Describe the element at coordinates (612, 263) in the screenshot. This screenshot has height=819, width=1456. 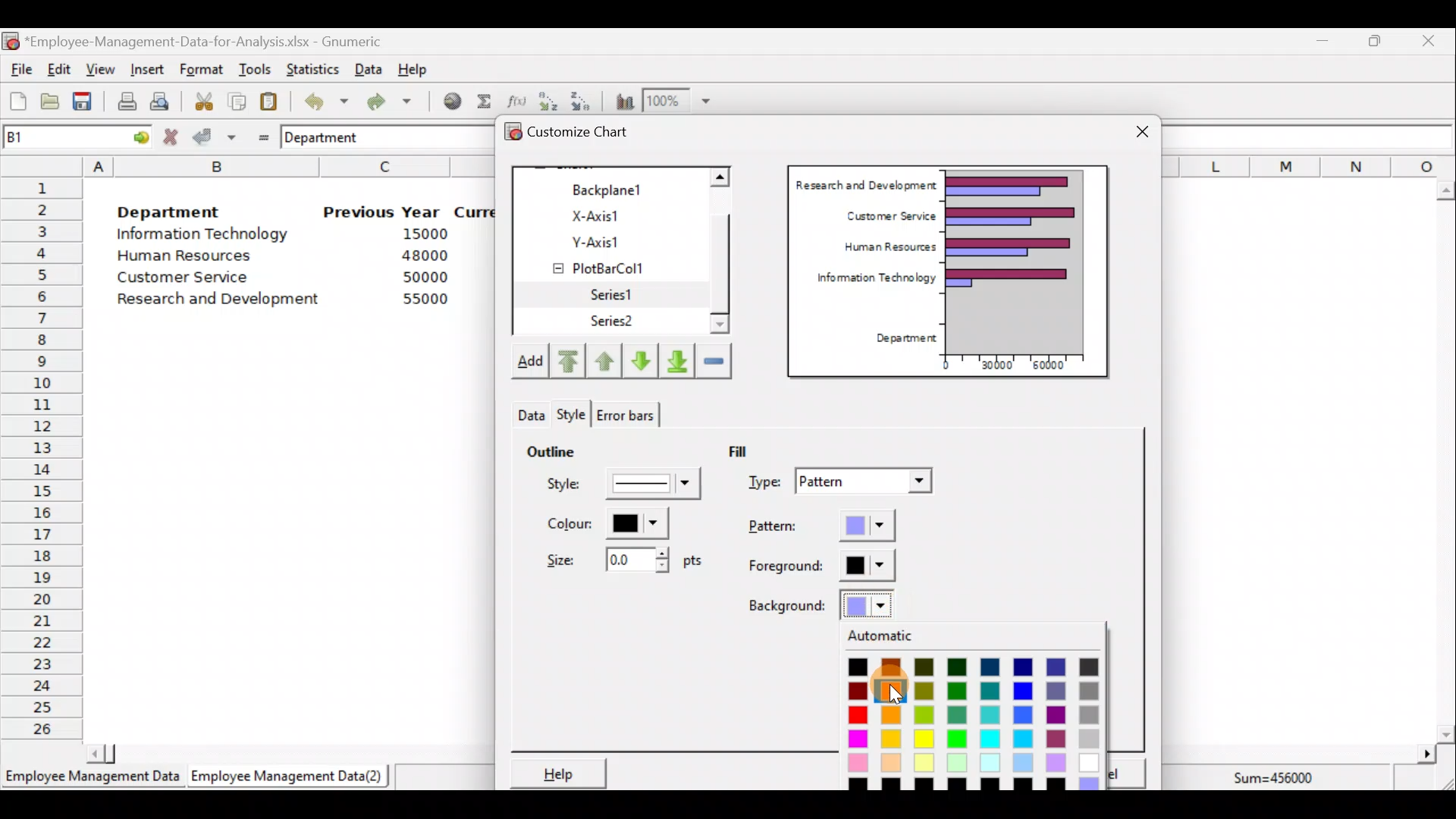
I see `PlotBarCol1` at that location.